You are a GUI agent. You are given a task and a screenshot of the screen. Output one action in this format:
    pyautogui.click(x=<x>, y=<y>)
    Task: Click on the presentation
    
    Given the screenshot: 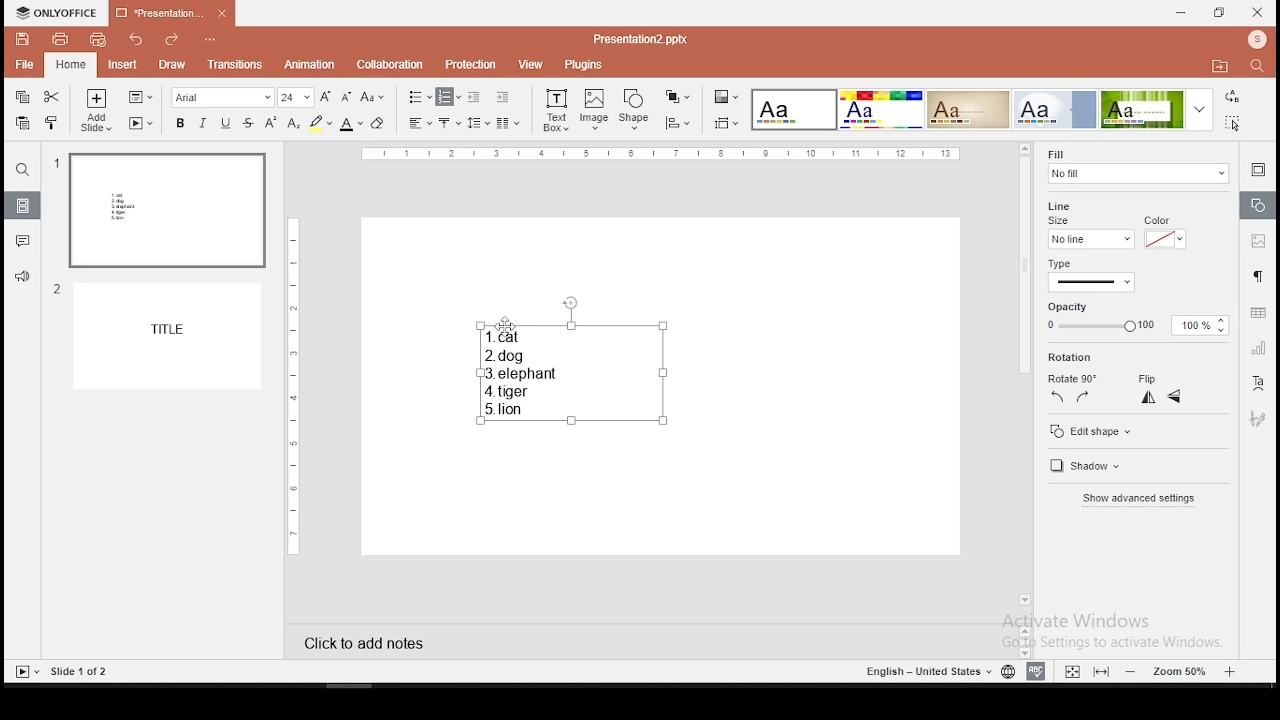 What is the action you would take?
    pyautogui.click(x=172, y=14)
    